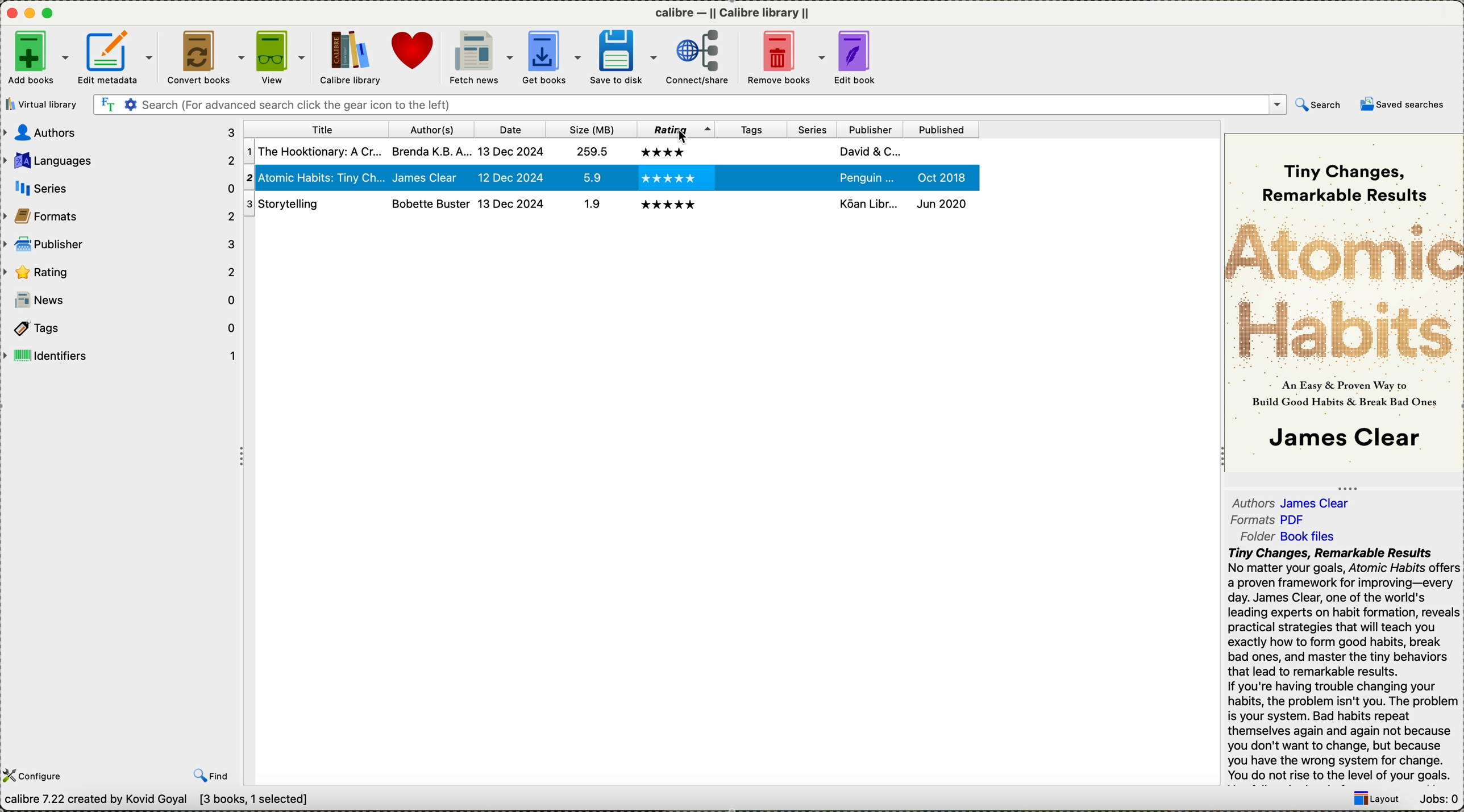  I want to click on donate, so click(413, 51).